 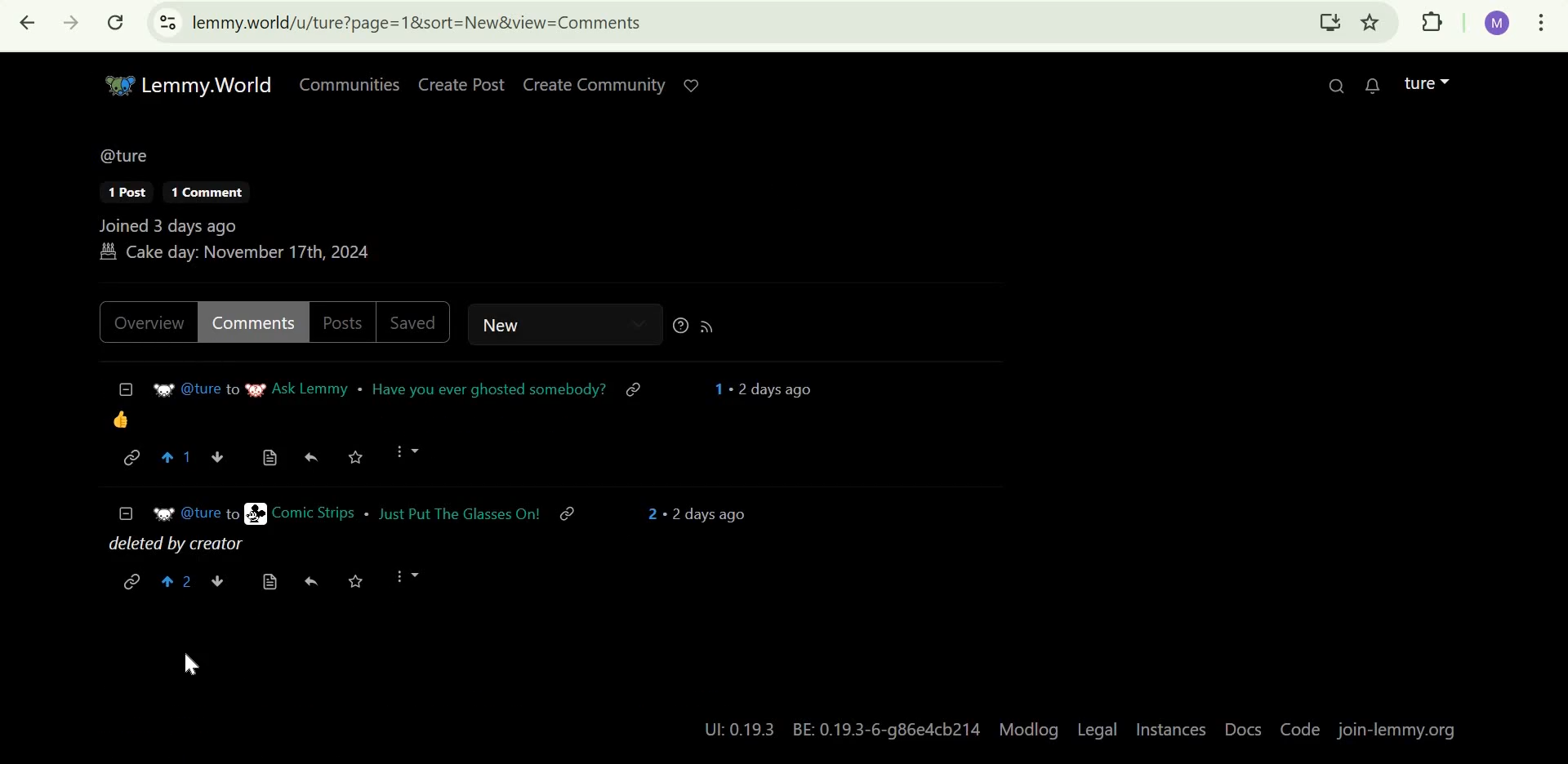 I want to click on 0 unread messages, so click(x=1364, y=84).